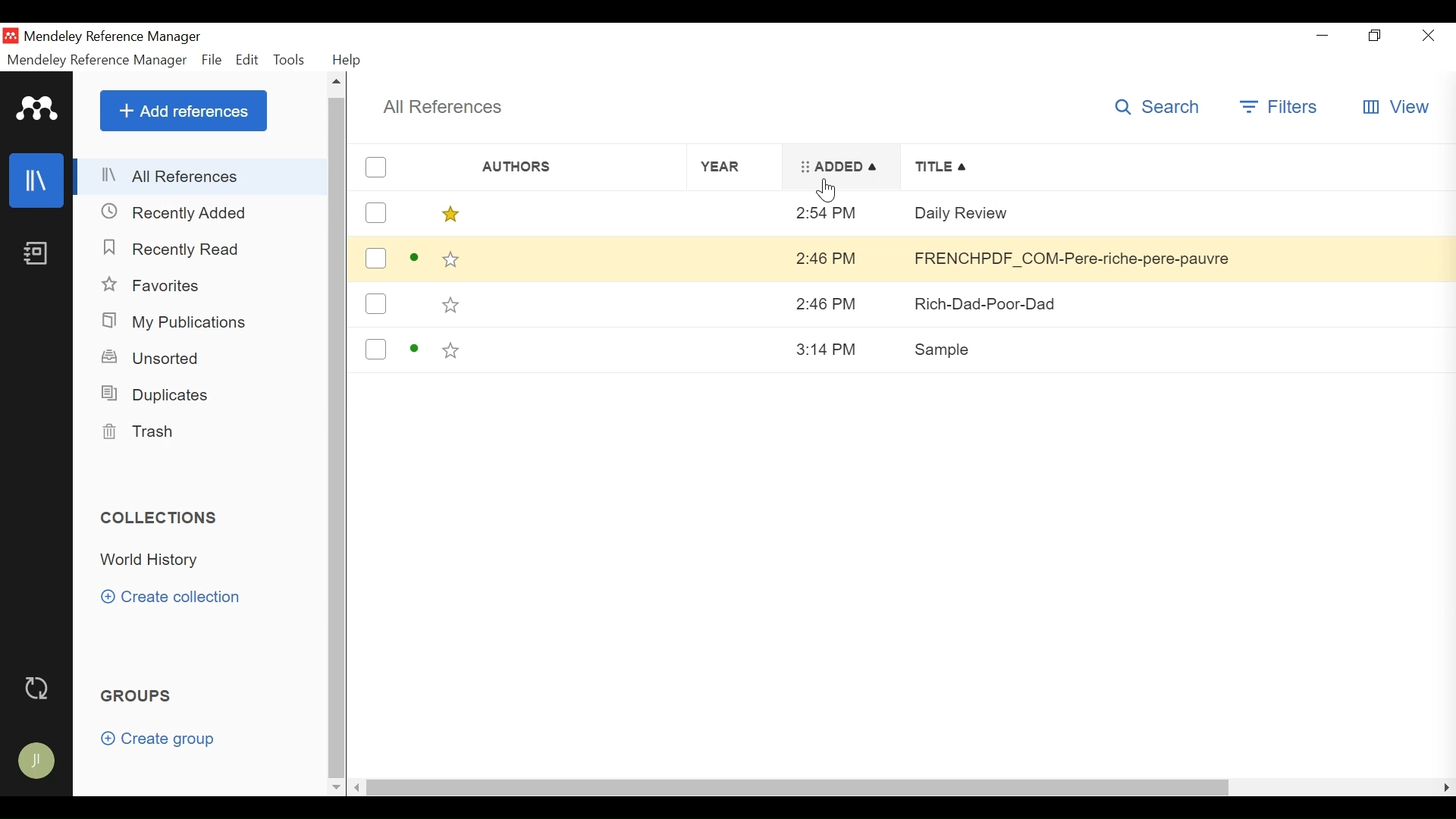 The width and height of the screenshot is (1456, 819). What do you see at coordinates (165, 741) in the screenshot?
I see `Create group` at bounding box center [165, 741].